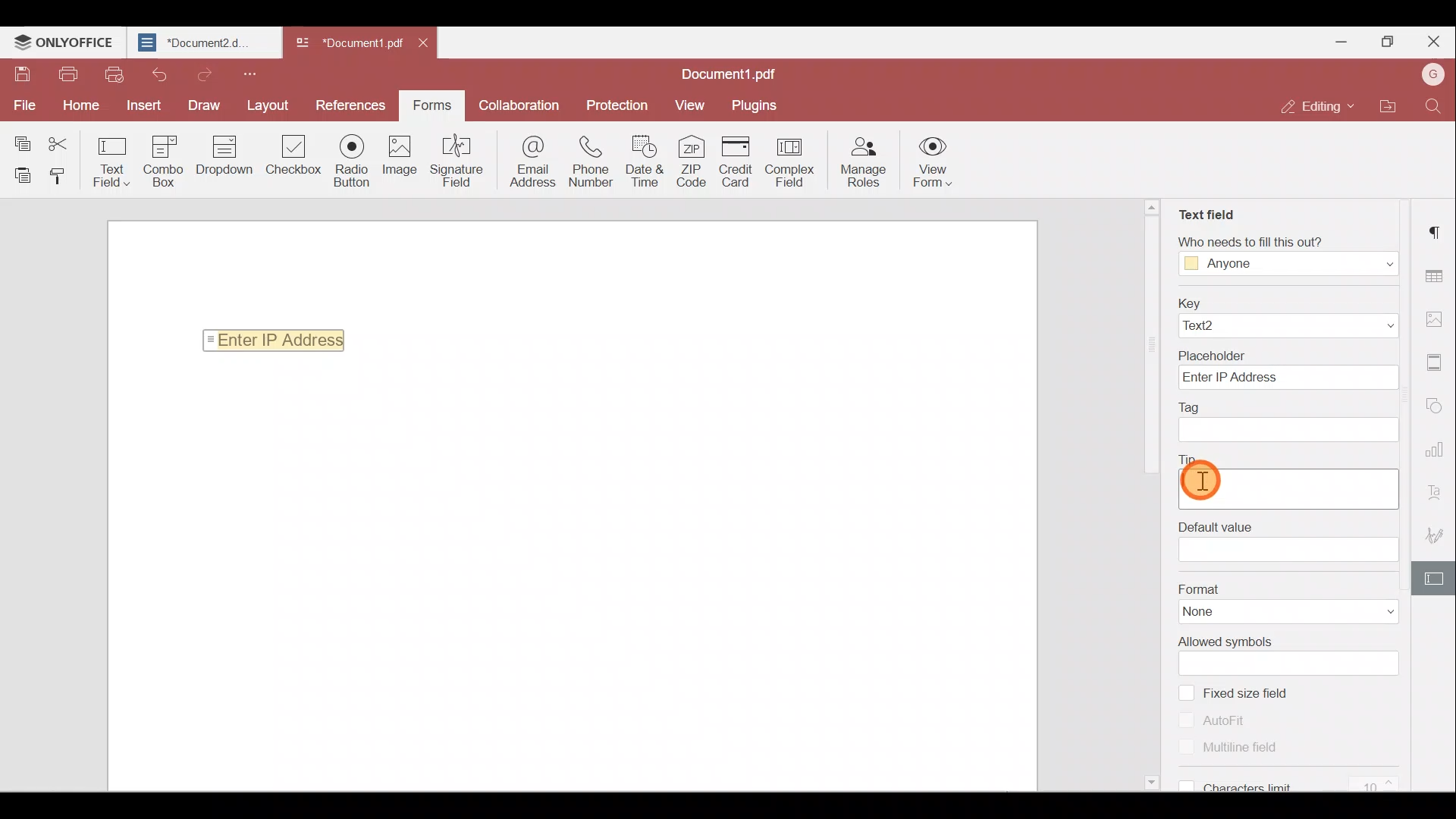  What do you see at coordinates (142, 104) in the screenshot?
I see `Insert` at bounding box center [142, 104].